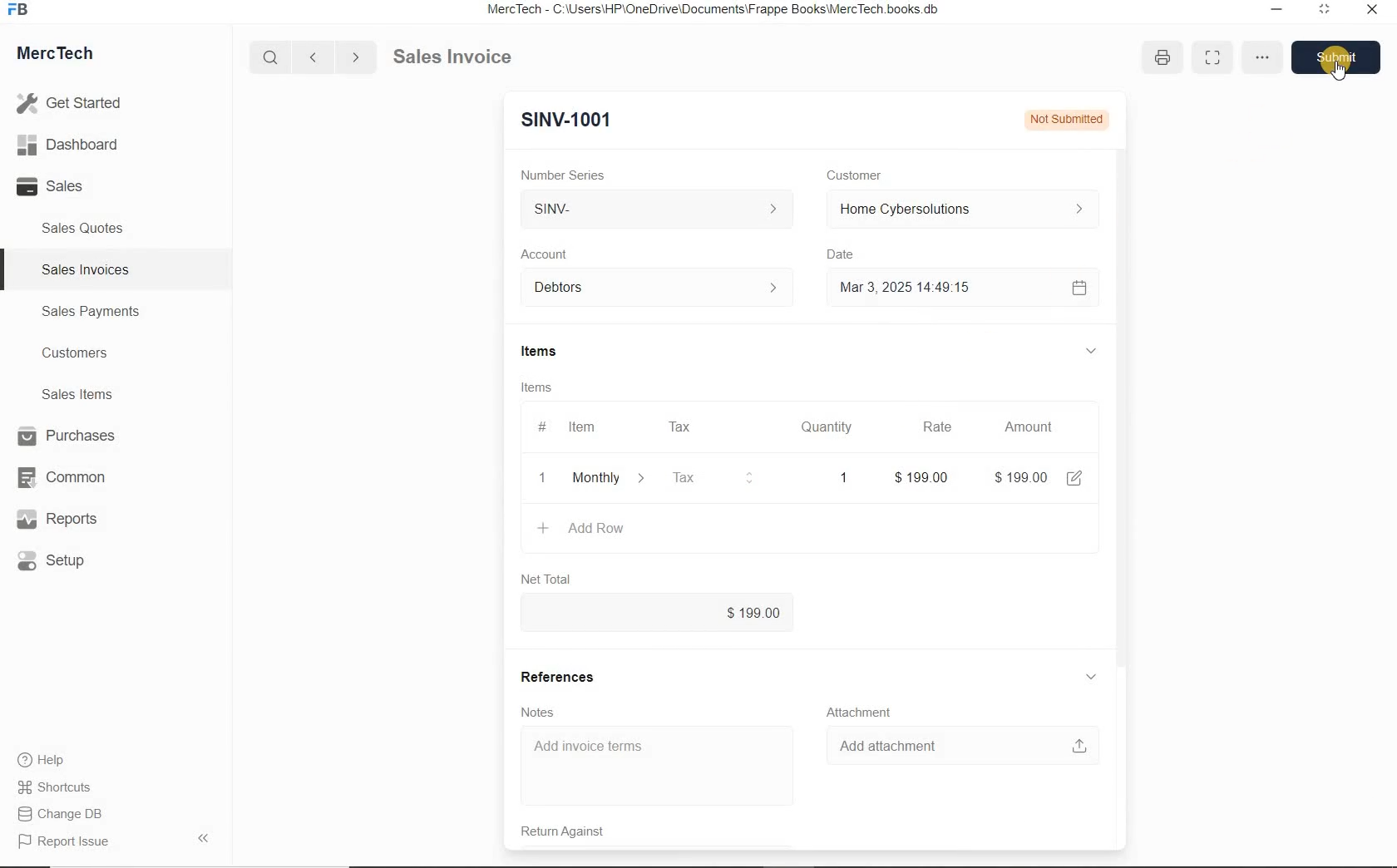 This screenshot has height=868, width=1397. I want to click on SINV-, so click(655, 210).